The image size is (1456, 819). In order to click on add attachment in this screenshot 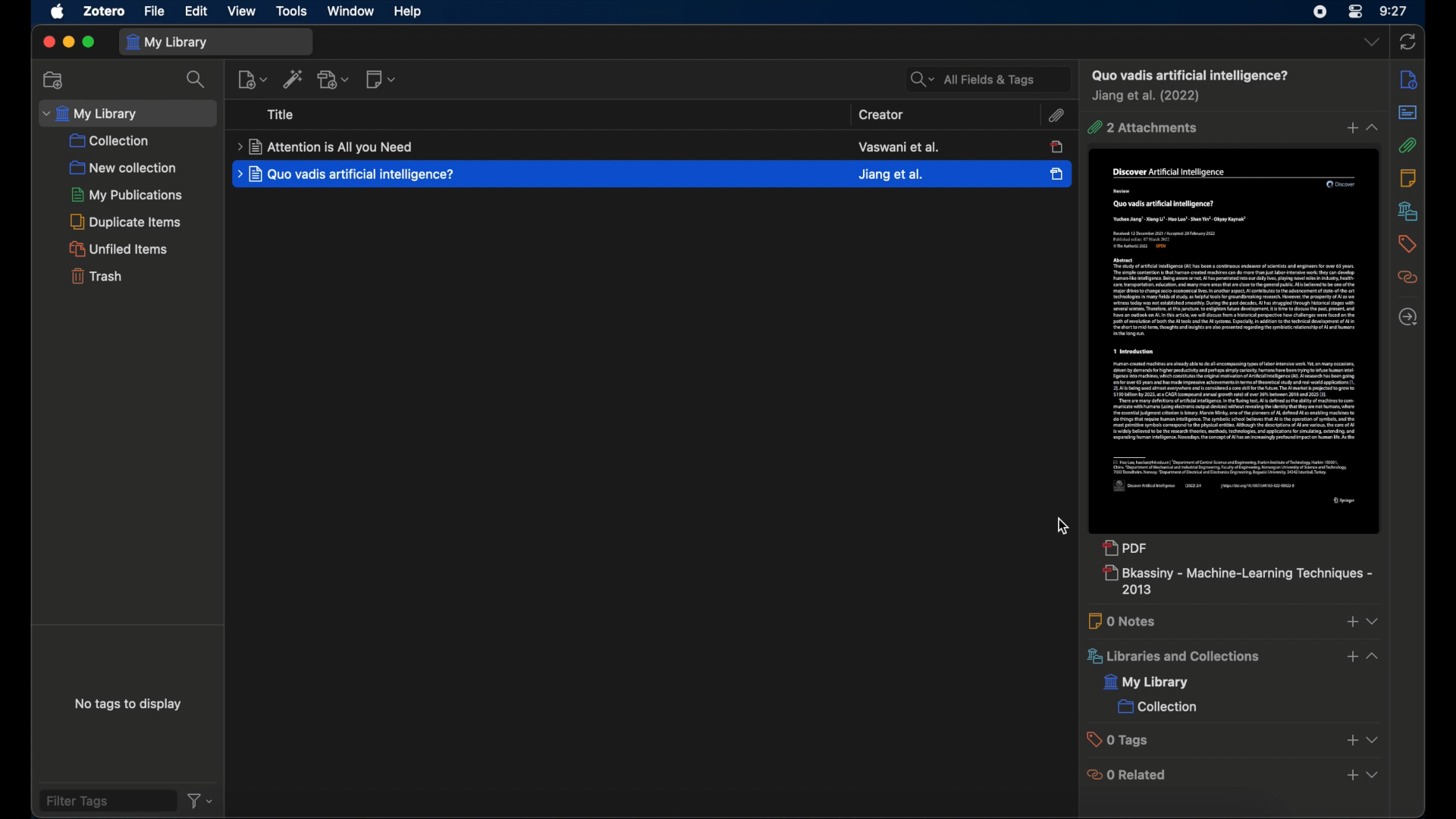, I will do `click(333, 80)`.